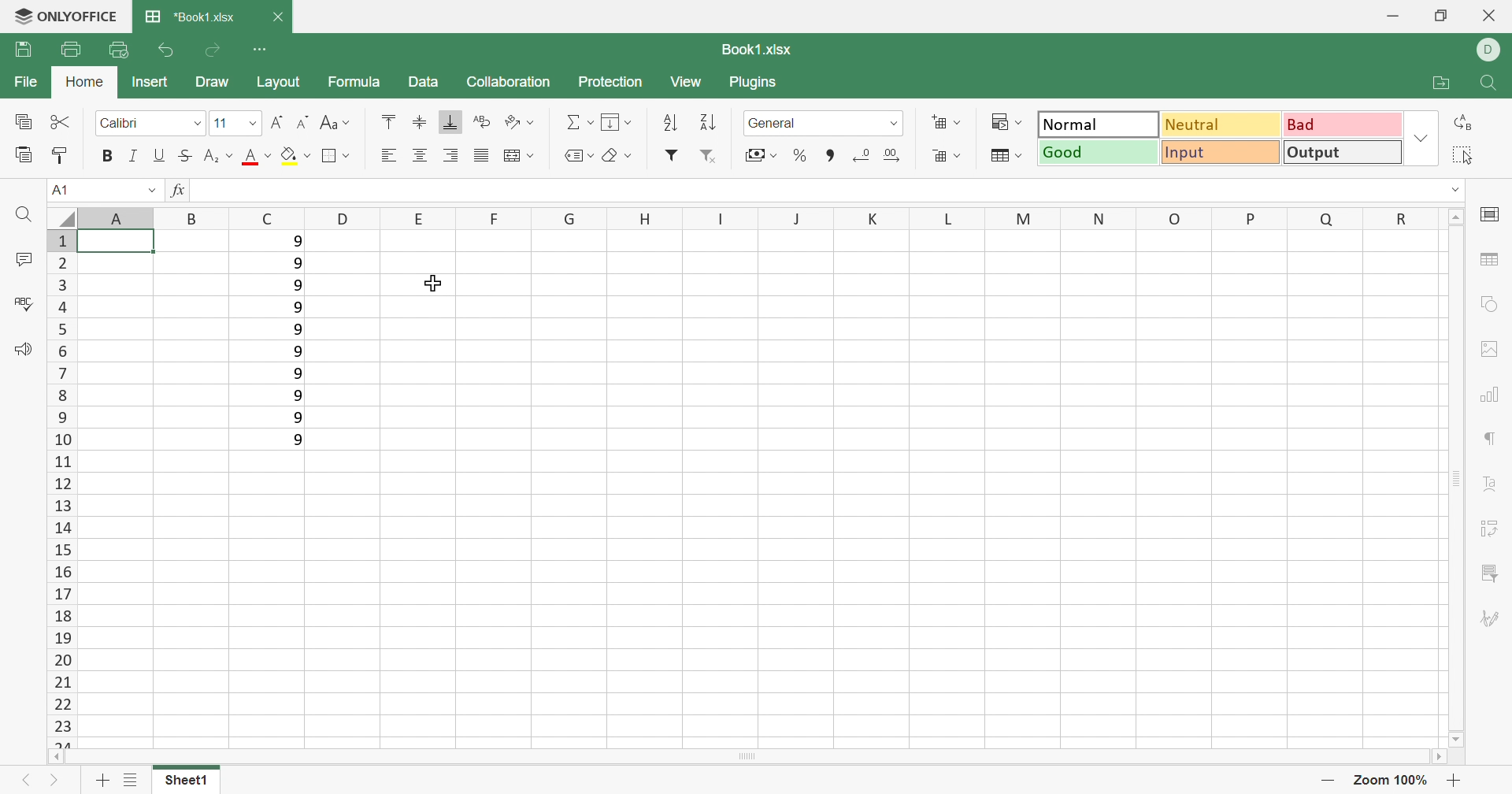 This screenshot has width=1512, height=794. What do you see at coordinates (278, 123) in the screenshot?
I see `Increment Font size` at bounding box center [278, 123].